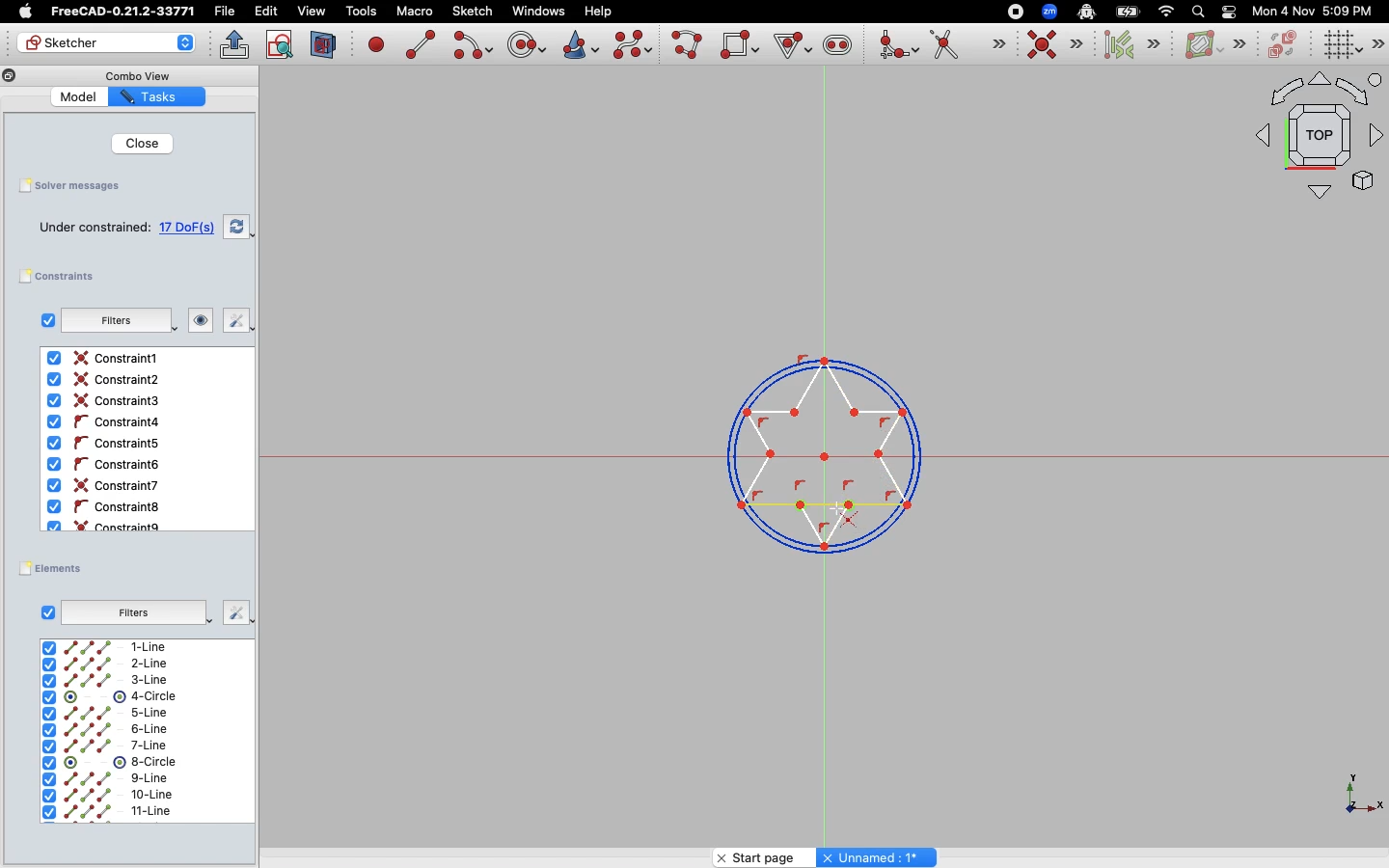 This screenshot has height=868, width=1389. What do you see at coordinates (312, 11) in the screenshot?
I see `view` at bounding box center [312, 11].